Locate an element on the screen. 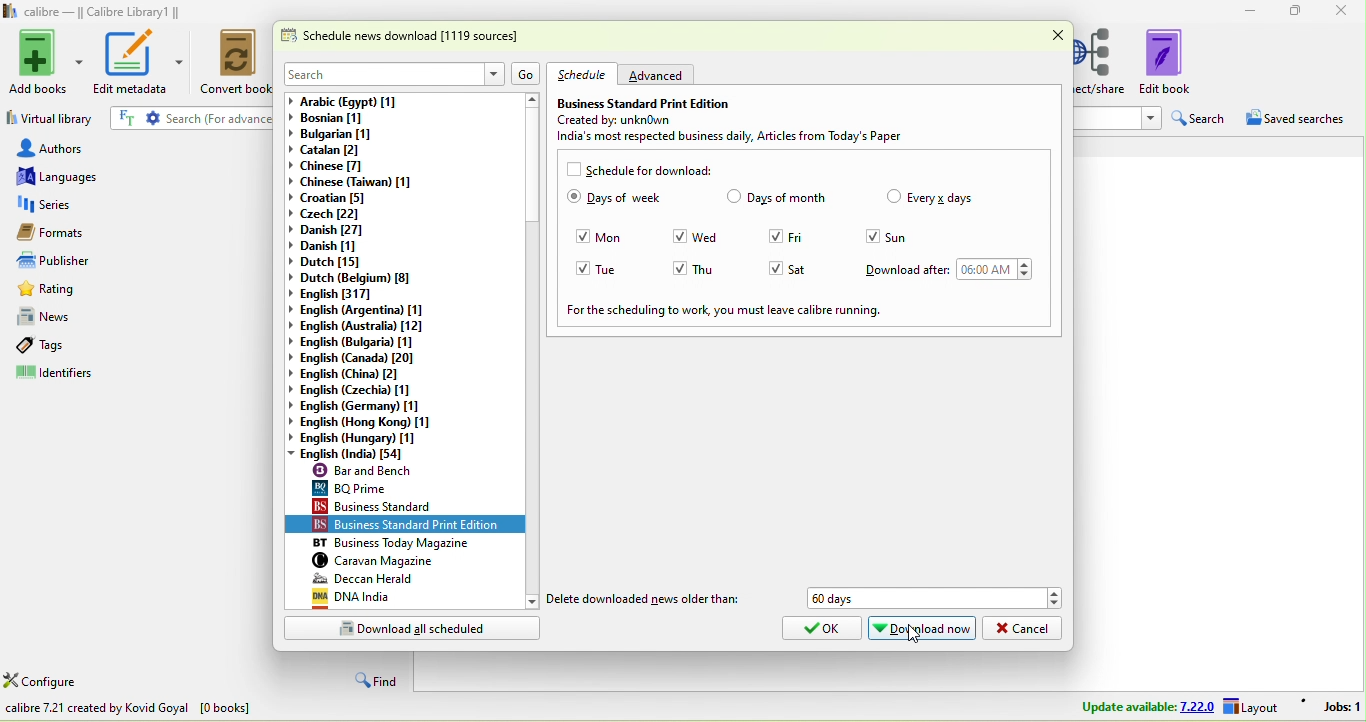  60 days is located at coordinates (918, 598).